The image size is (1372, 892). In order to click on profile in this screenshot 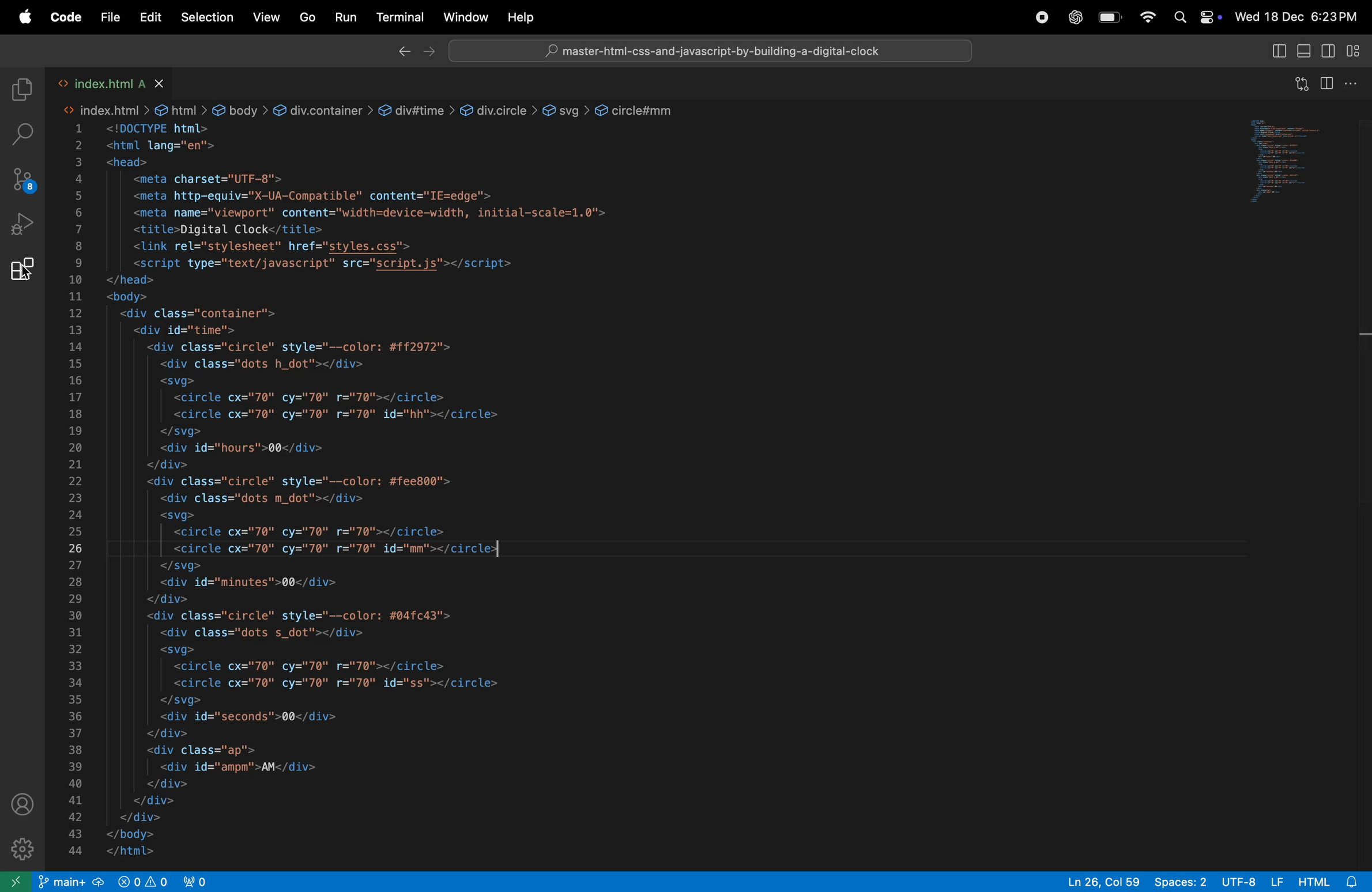, I will do `click(25, 804)`.